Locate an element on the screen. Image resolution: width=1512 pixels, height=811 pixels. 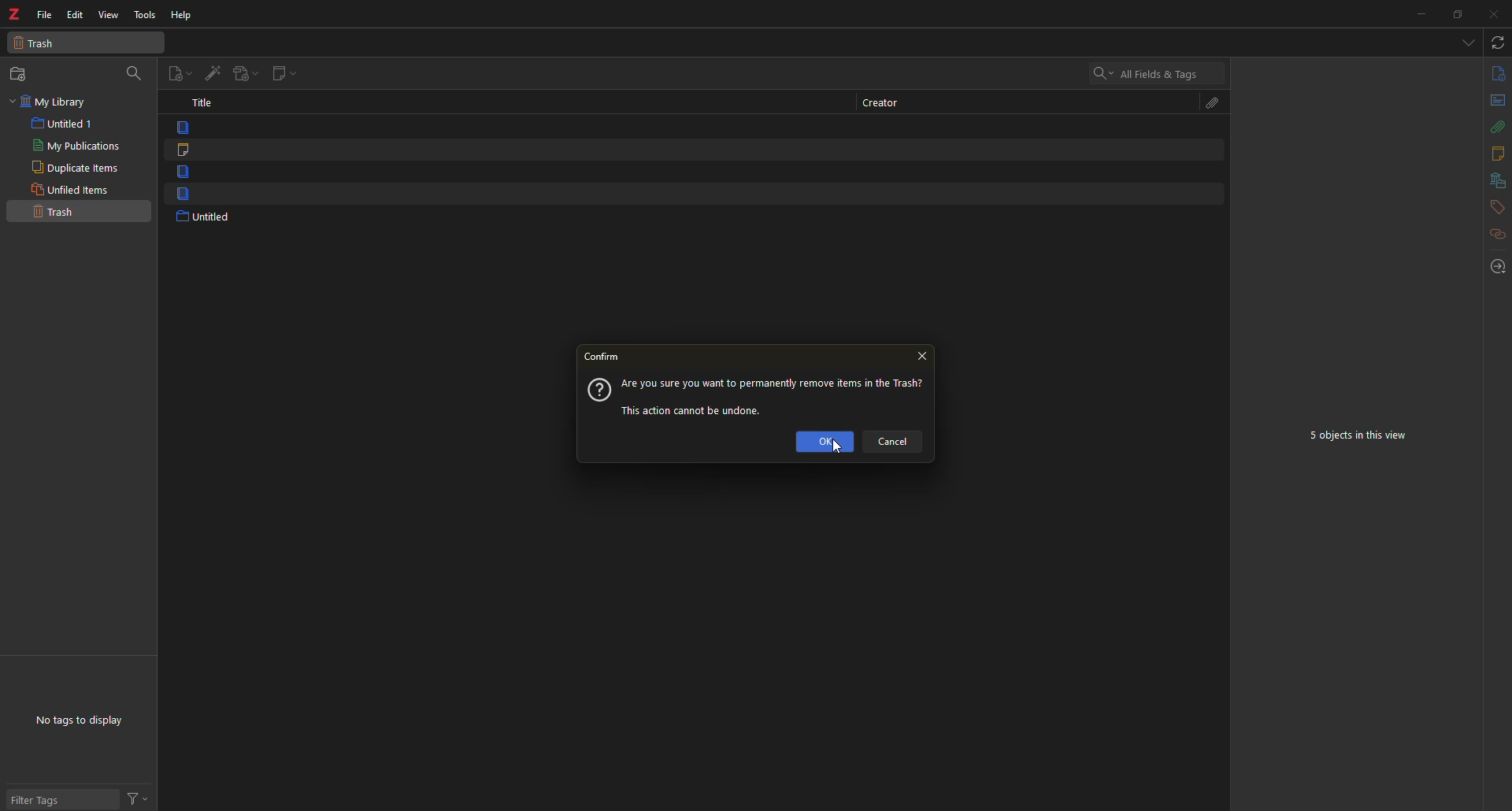
attach is located at coordinates (1216, 103).